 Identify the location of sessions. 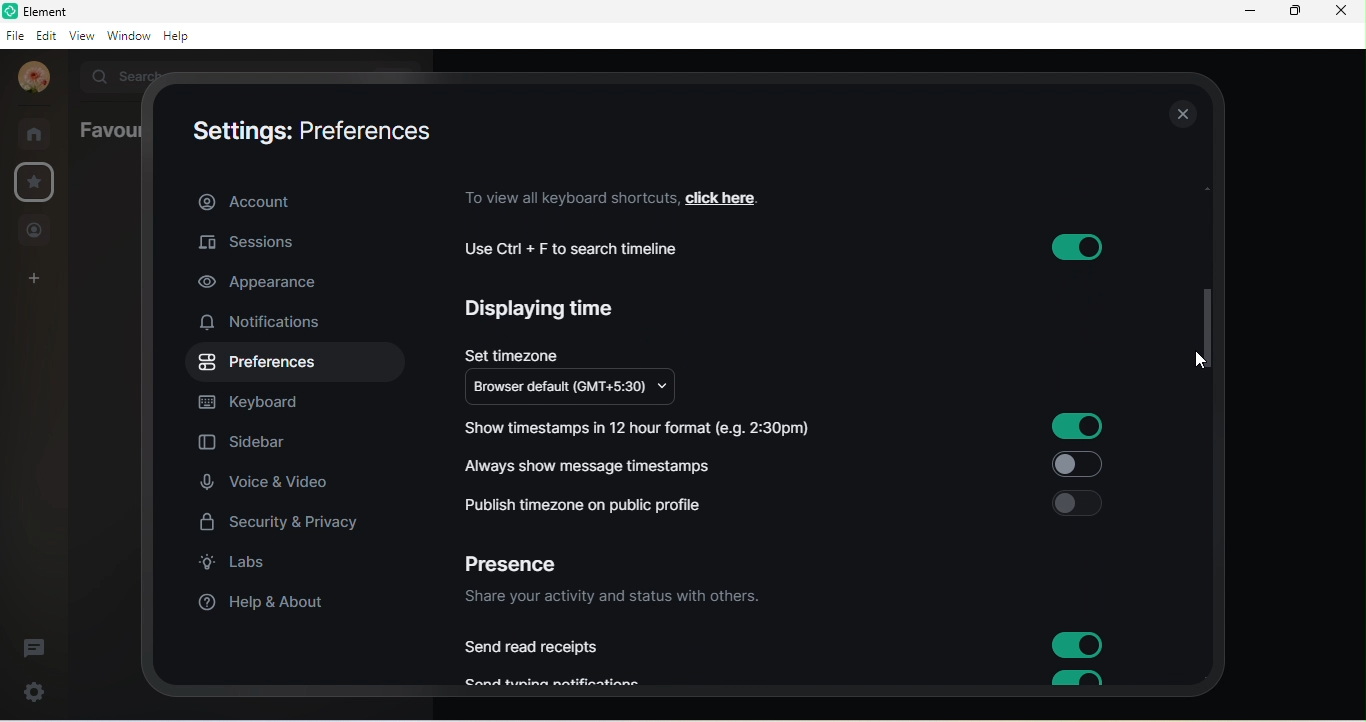
(271, 241).